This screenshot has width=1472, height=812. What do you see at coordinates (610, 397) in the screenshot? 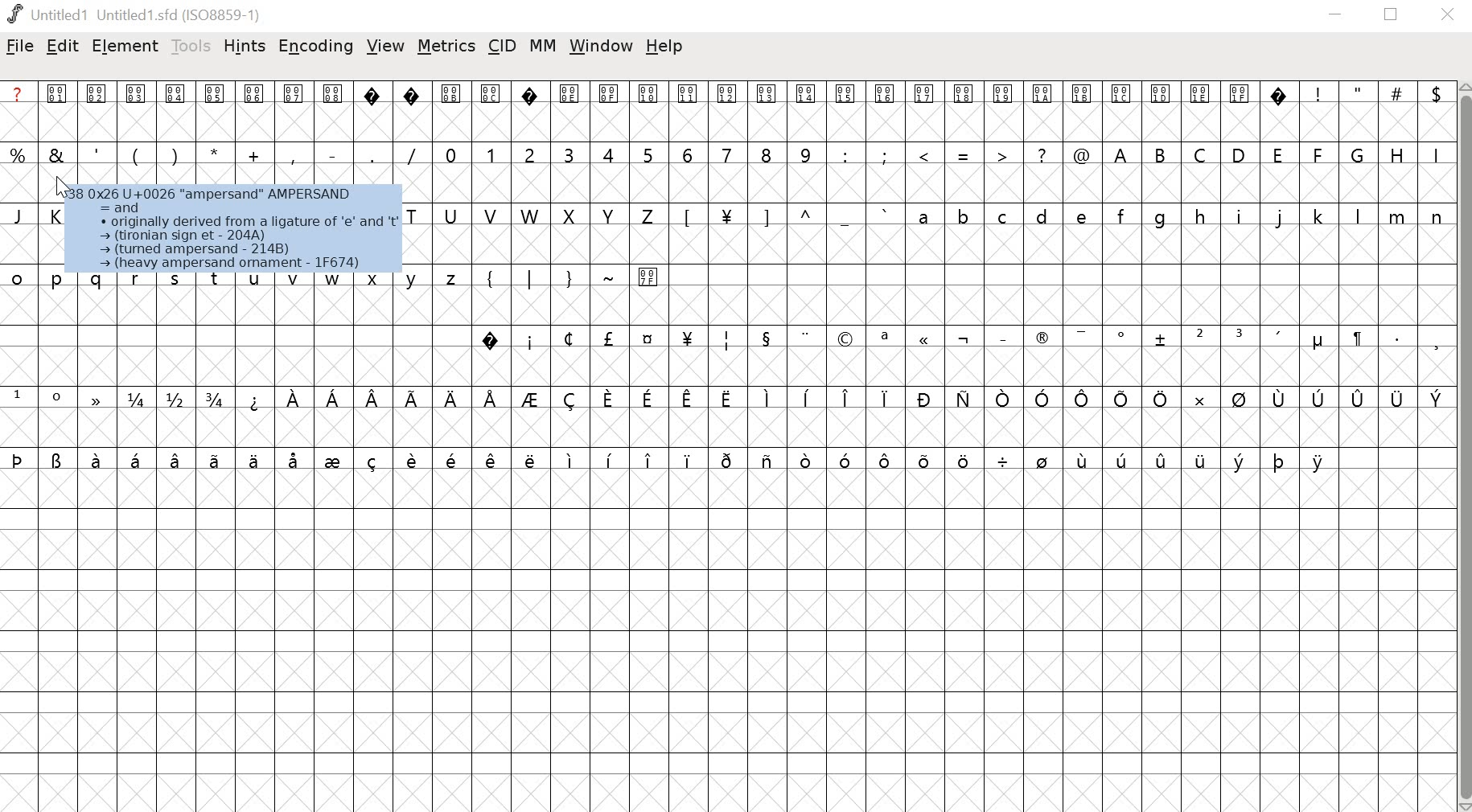
I see `symbol` at bounding box center [610, 397].